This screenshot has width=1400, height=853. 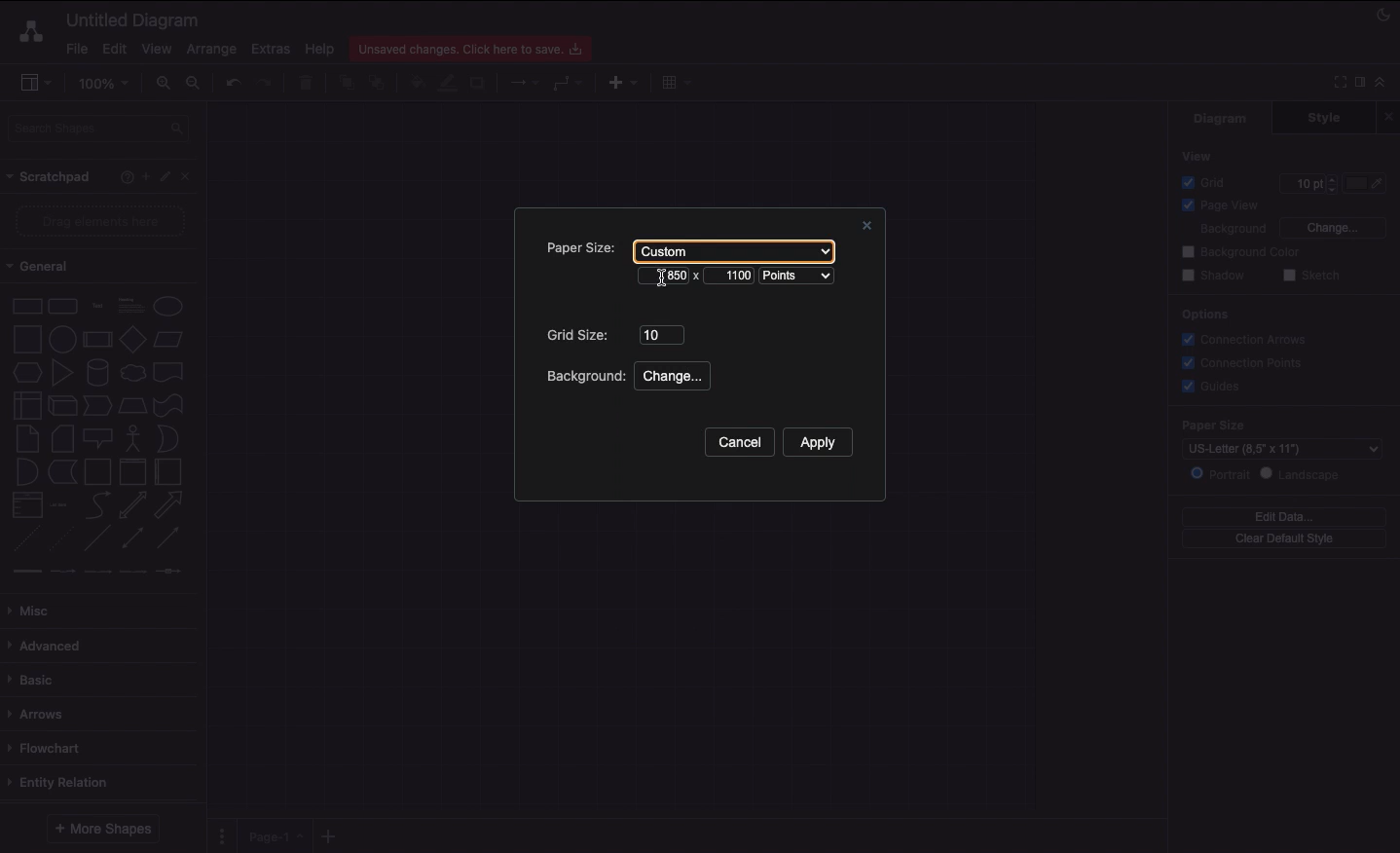 What do you see at coordinates (309, 84) in the screenshot?
I see `Trash` at bounding box center [309, 84].